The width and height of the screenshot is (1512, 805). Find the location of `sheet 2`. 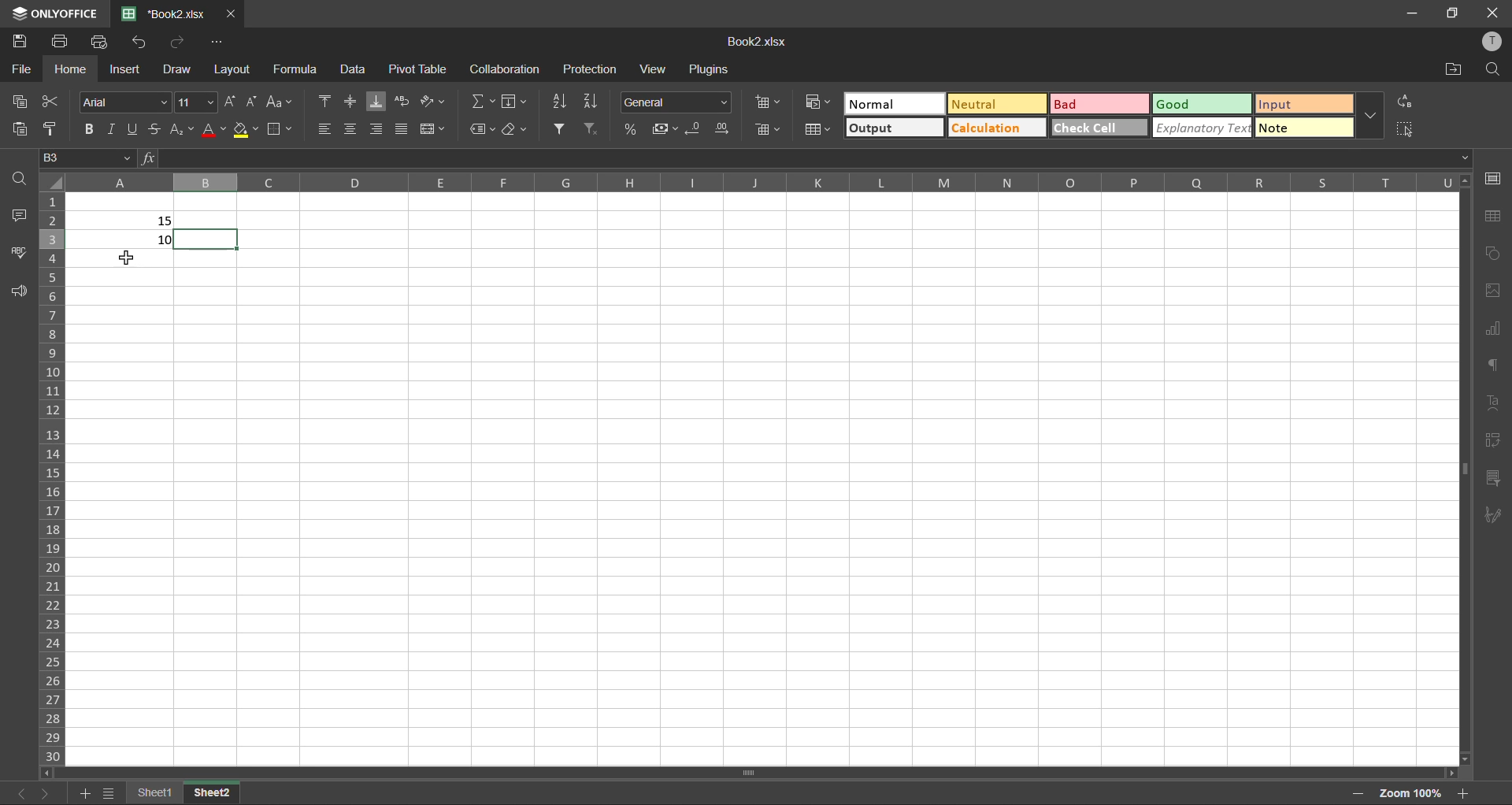

sheet 2 is located at coordinates (215, 792).